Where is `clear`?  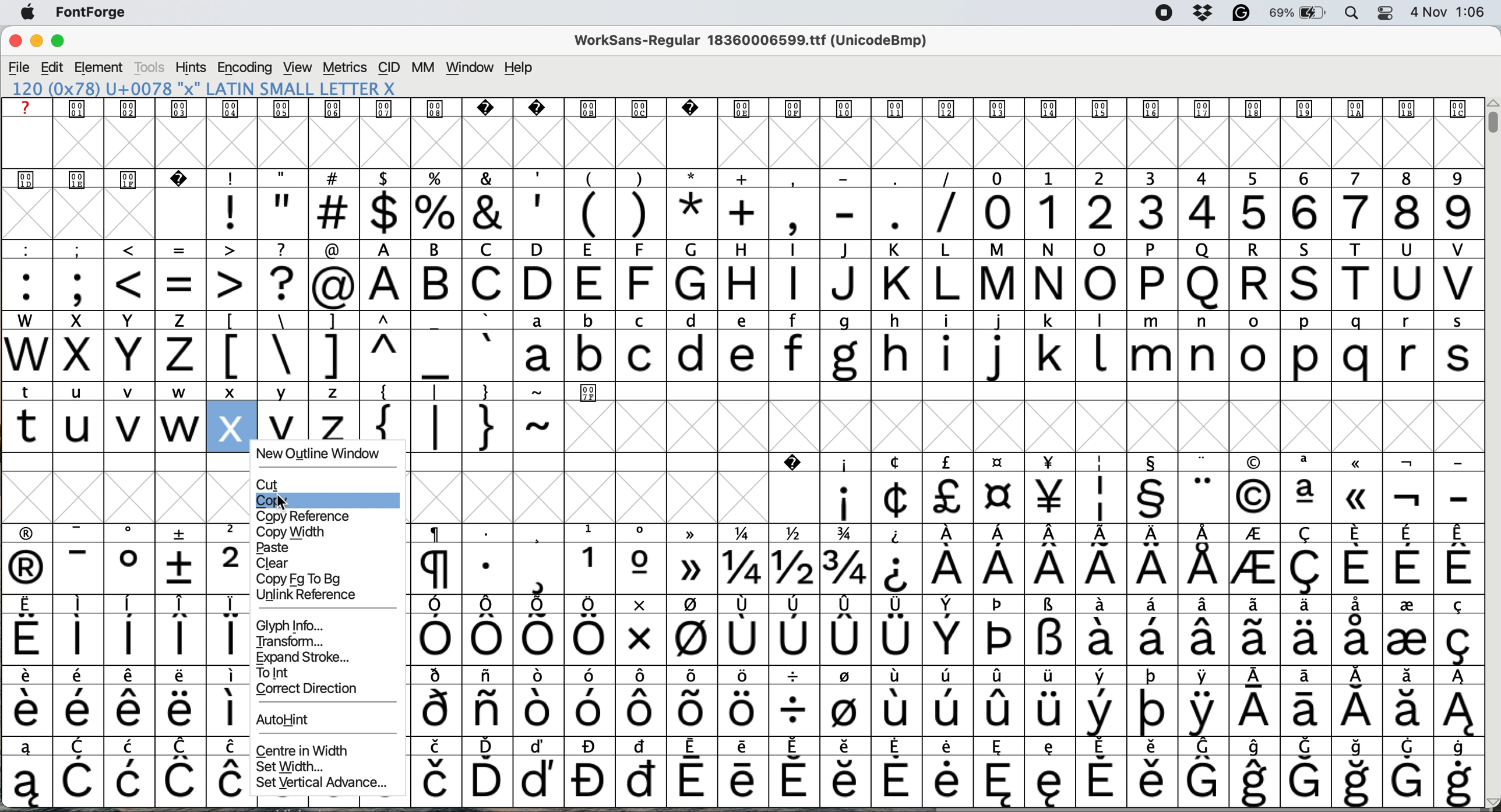 clear is located at coordinates (275, 562).